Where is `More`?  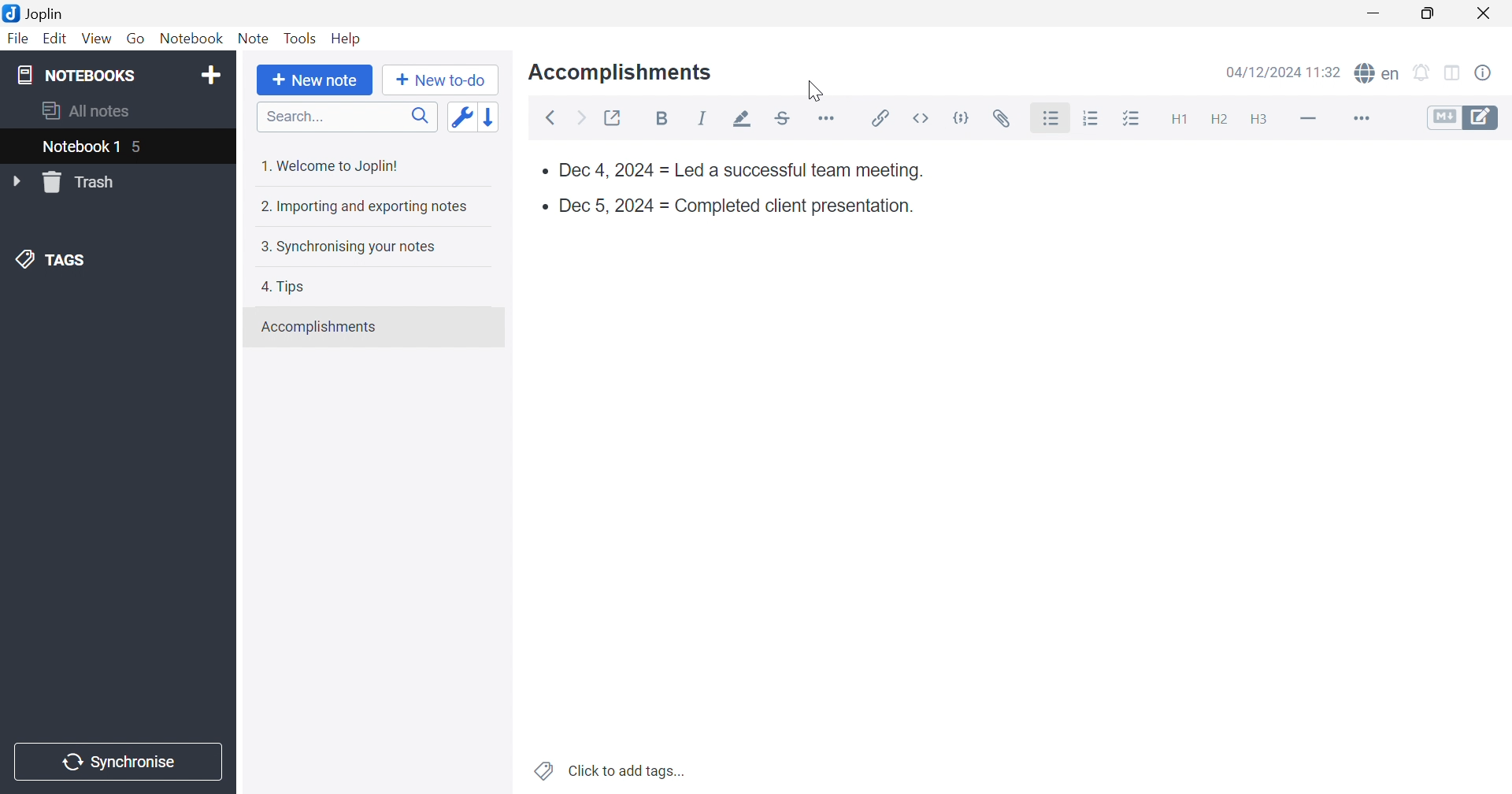 More is located at coordinates (1362, 121).